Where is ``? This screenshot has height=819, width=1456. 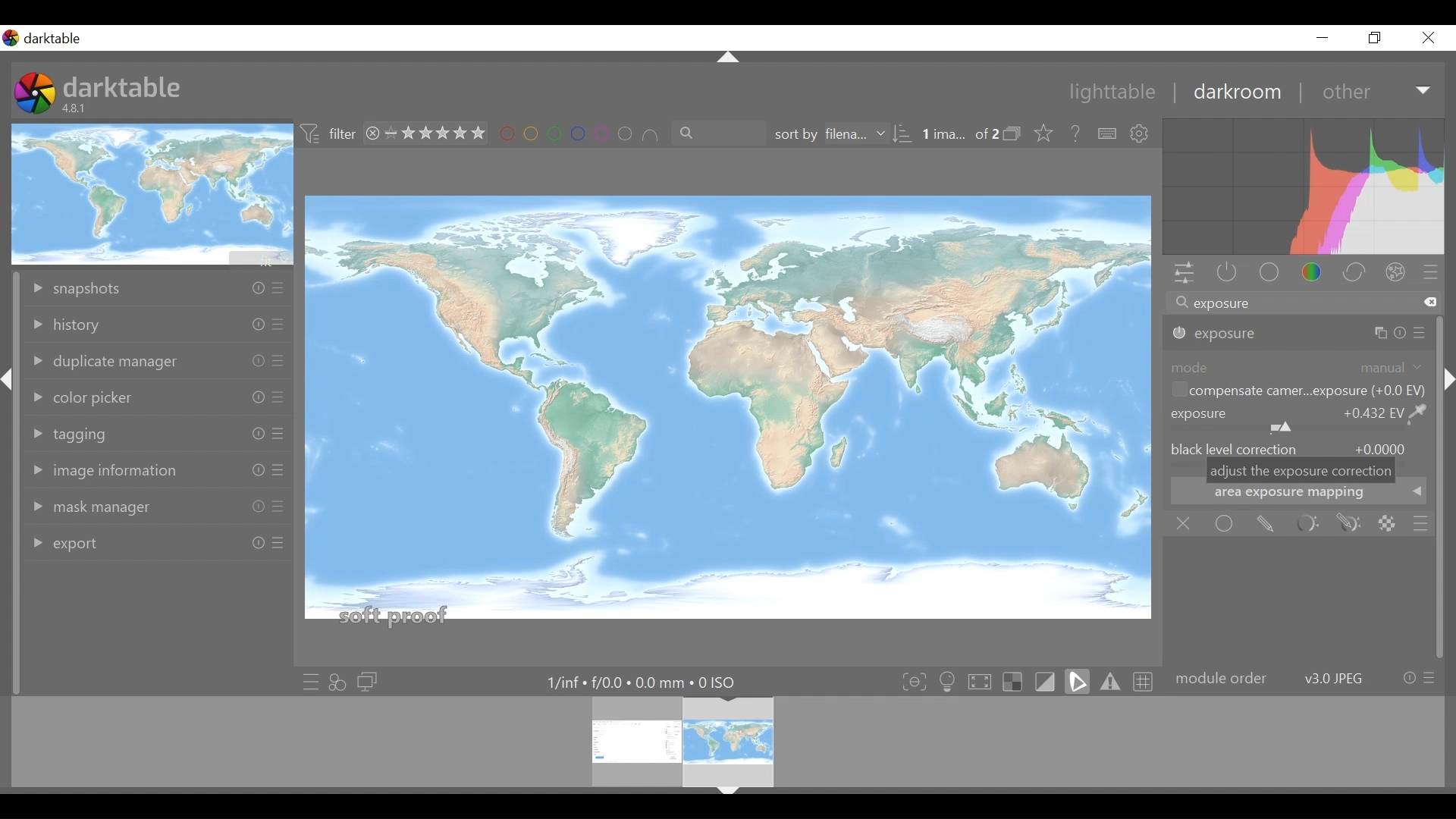  is located at coordinates (249, 325).